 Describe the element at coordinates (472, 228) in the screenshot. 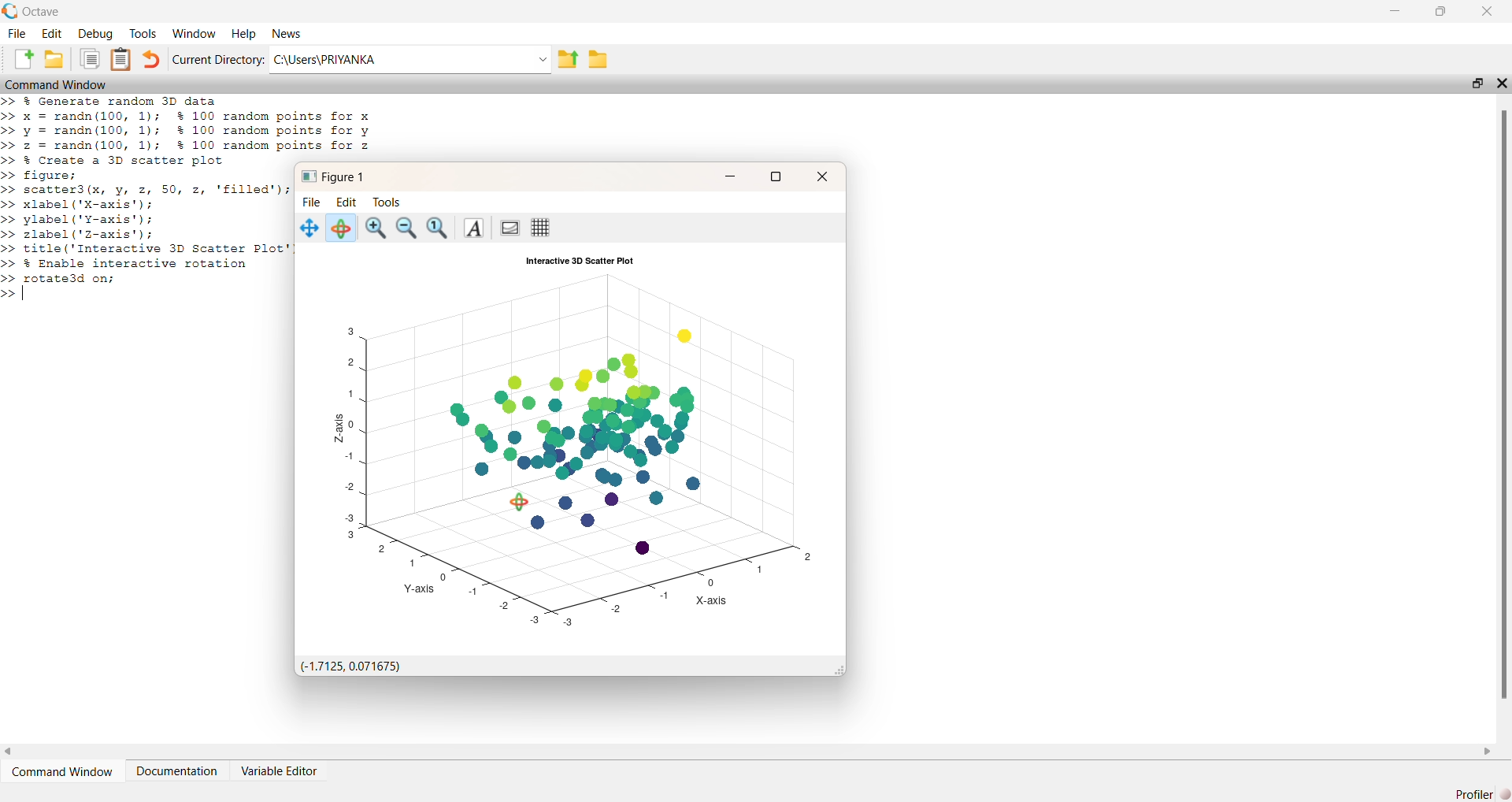

I see `font` at that location.